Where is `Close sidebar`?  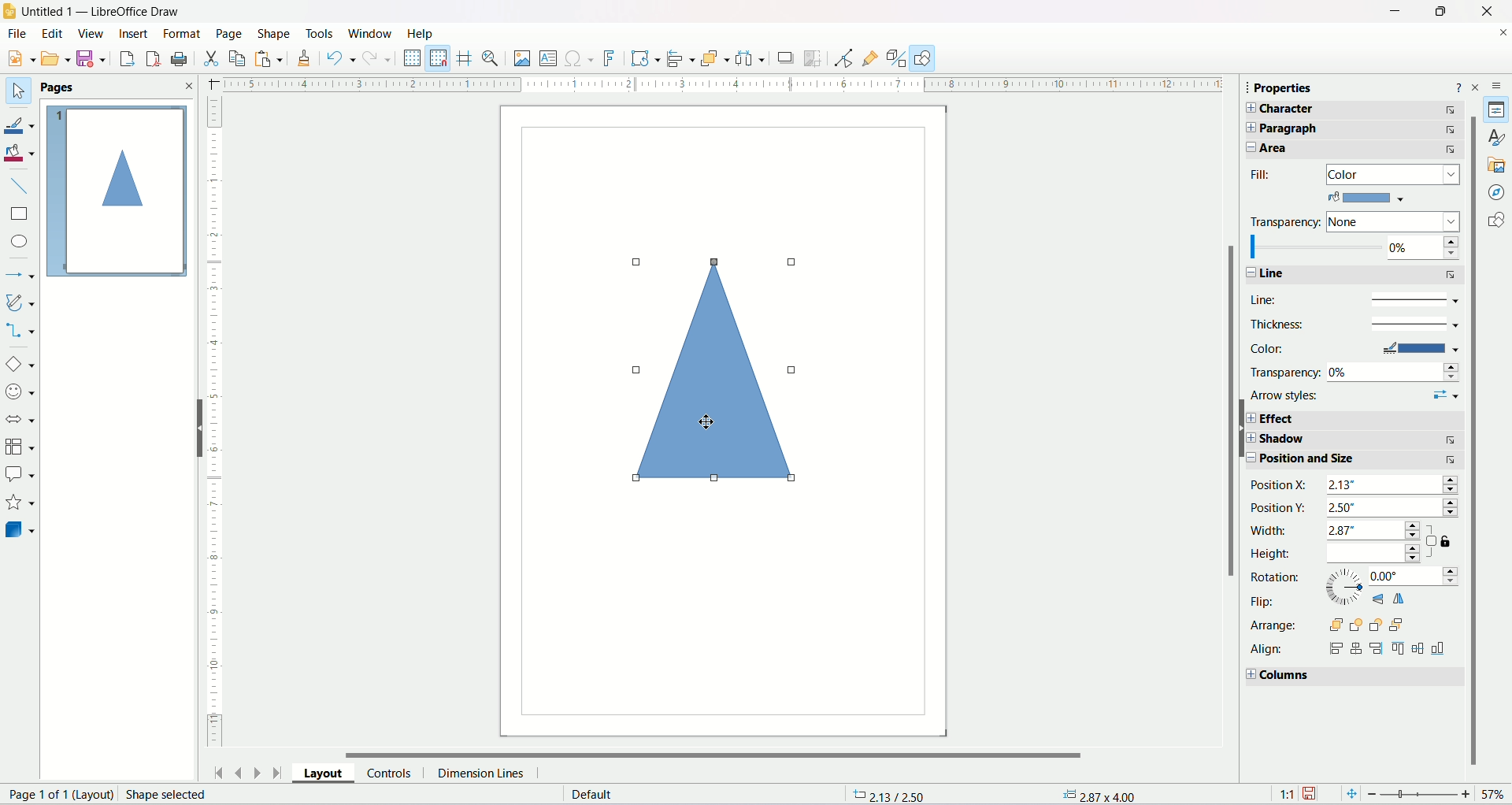 Close sidebar is located at coordinates (1480, 86).